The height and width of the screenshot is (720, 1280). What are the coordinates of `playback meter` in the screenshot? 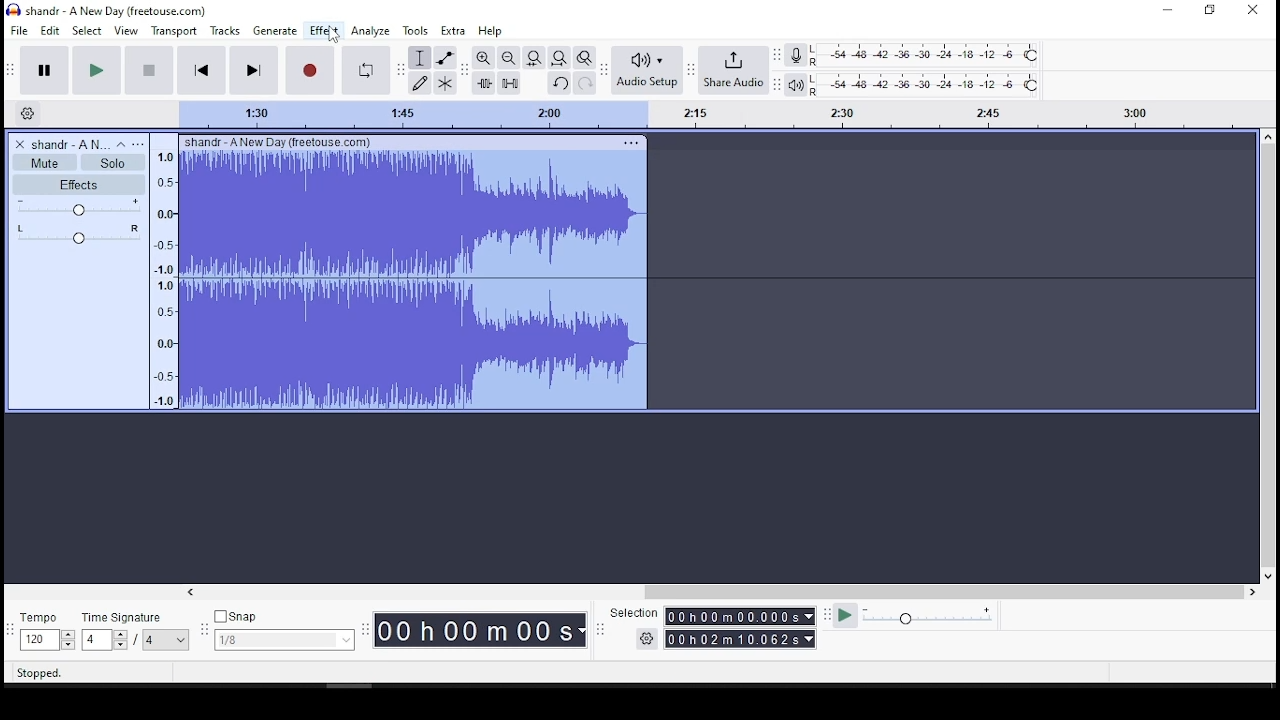 It's located at (794, 84).